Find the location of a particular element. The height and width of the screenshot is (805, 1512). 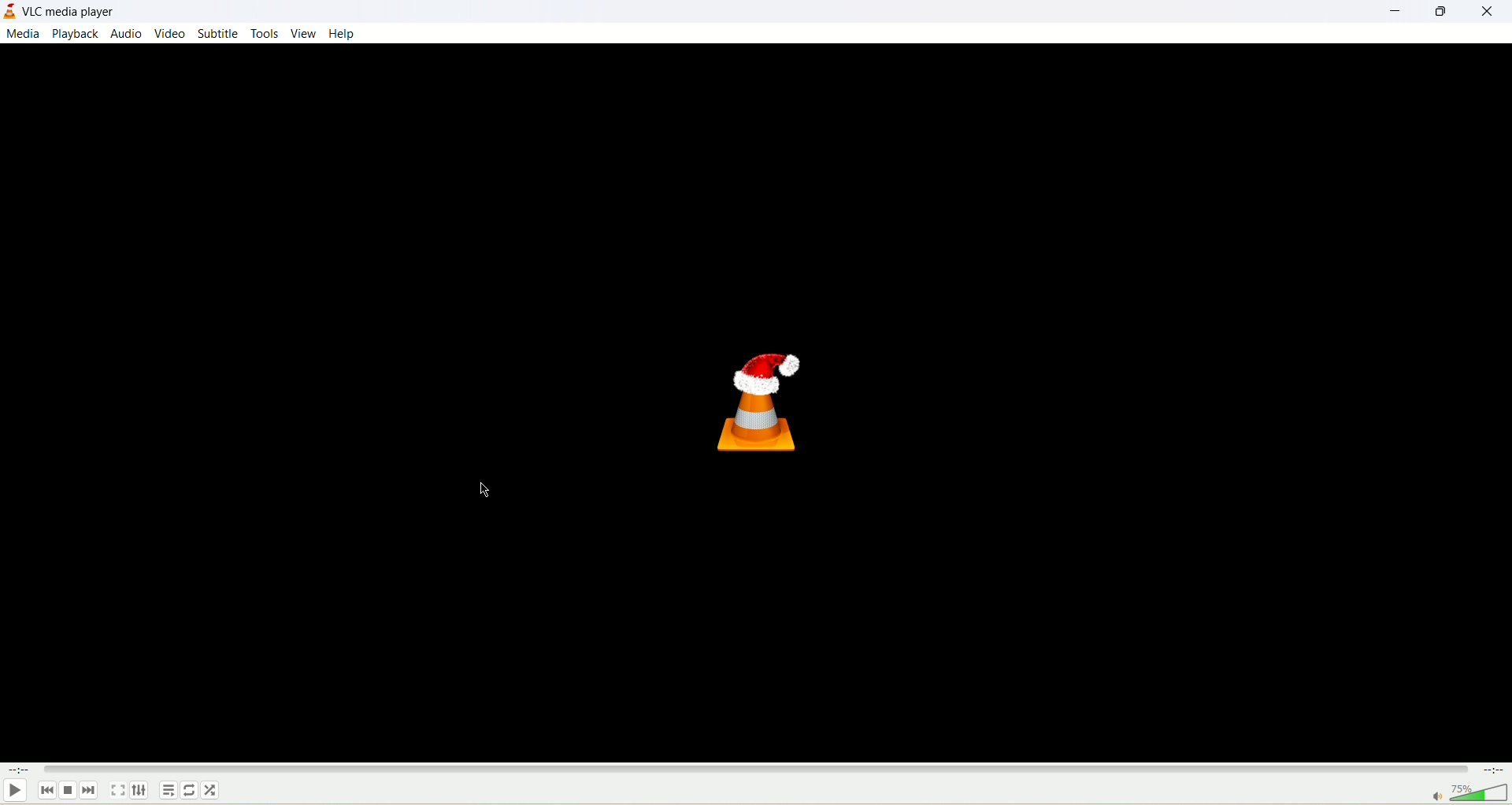

maximize is located at coordinates (1447, 9).